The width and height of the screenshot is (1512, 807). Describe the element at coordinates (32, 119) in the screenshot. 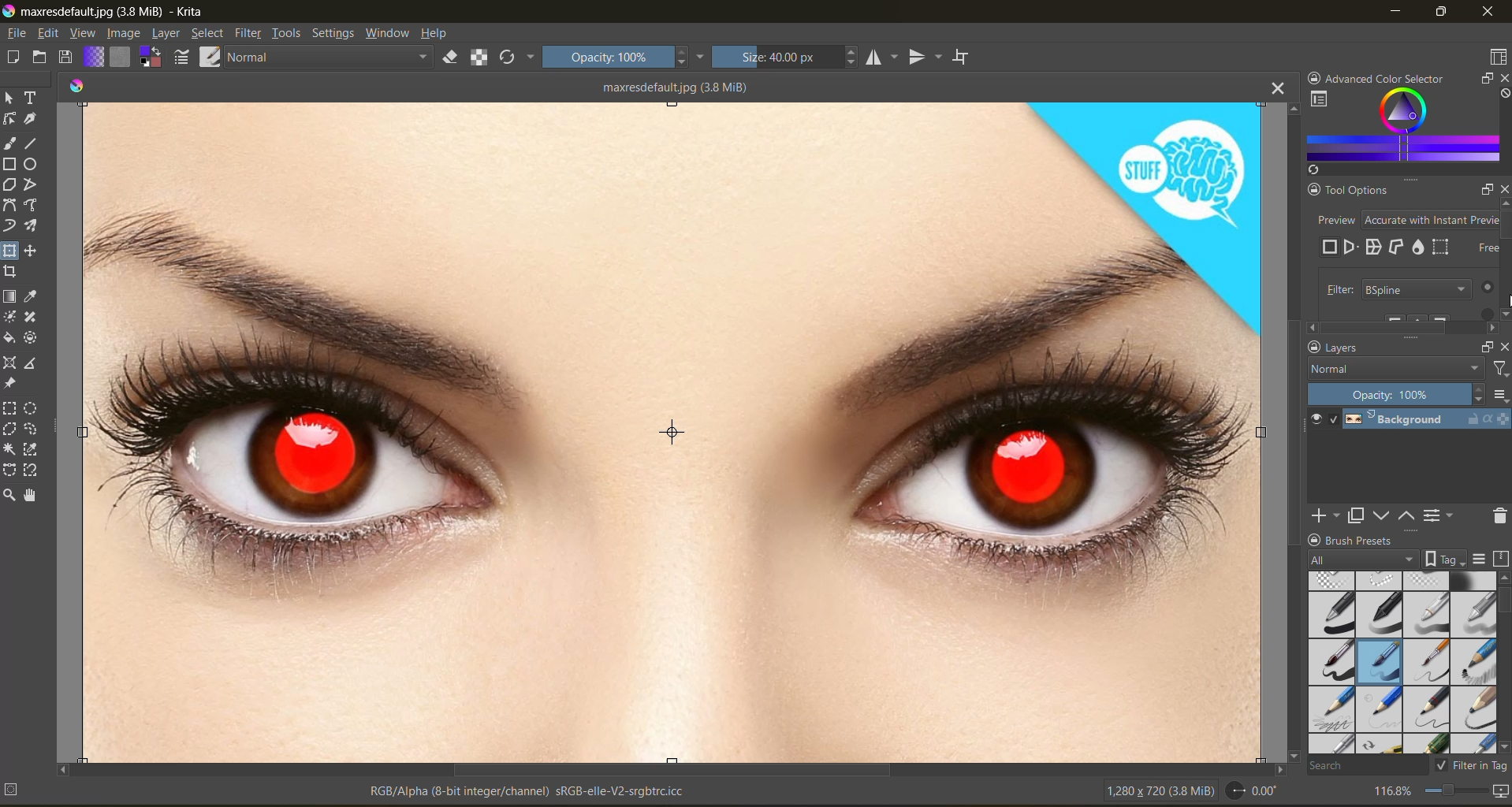

I see `tool` at that location.